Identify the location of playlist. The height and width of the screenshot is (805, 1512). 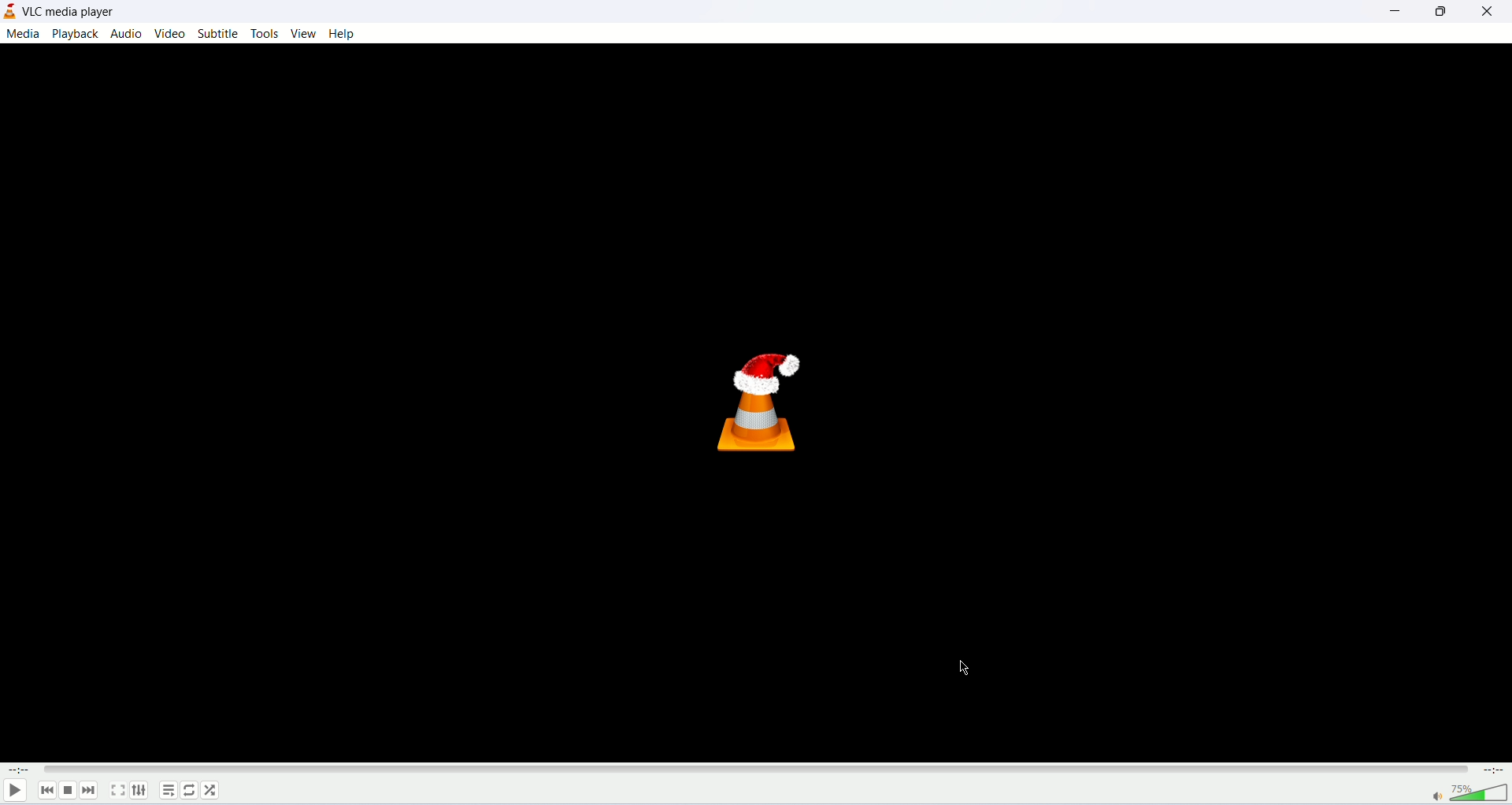
(167, 793).